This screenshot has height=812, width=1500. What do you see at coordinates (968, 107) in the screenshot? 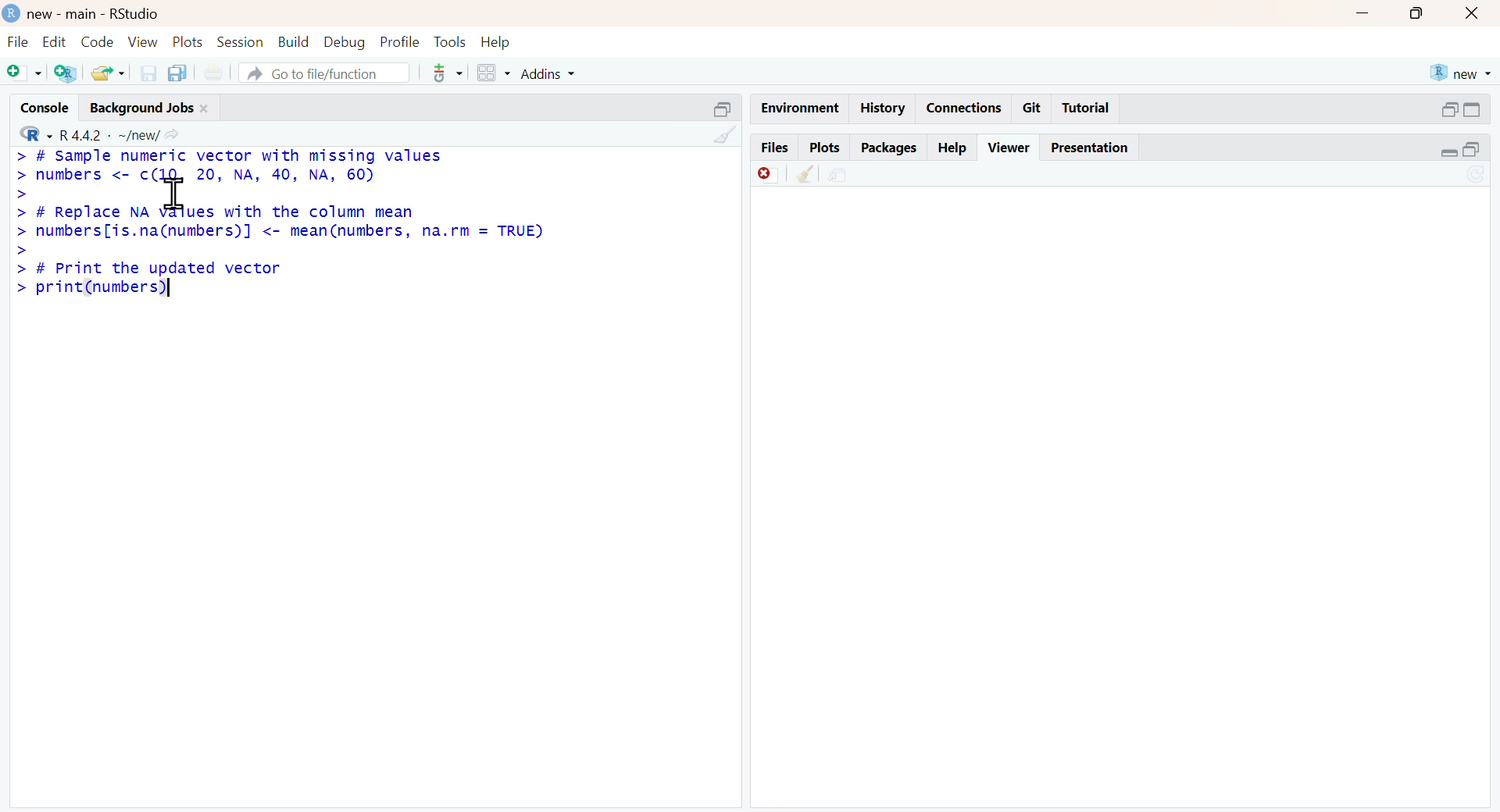
I see `connections` at bounding box center [968, 107].